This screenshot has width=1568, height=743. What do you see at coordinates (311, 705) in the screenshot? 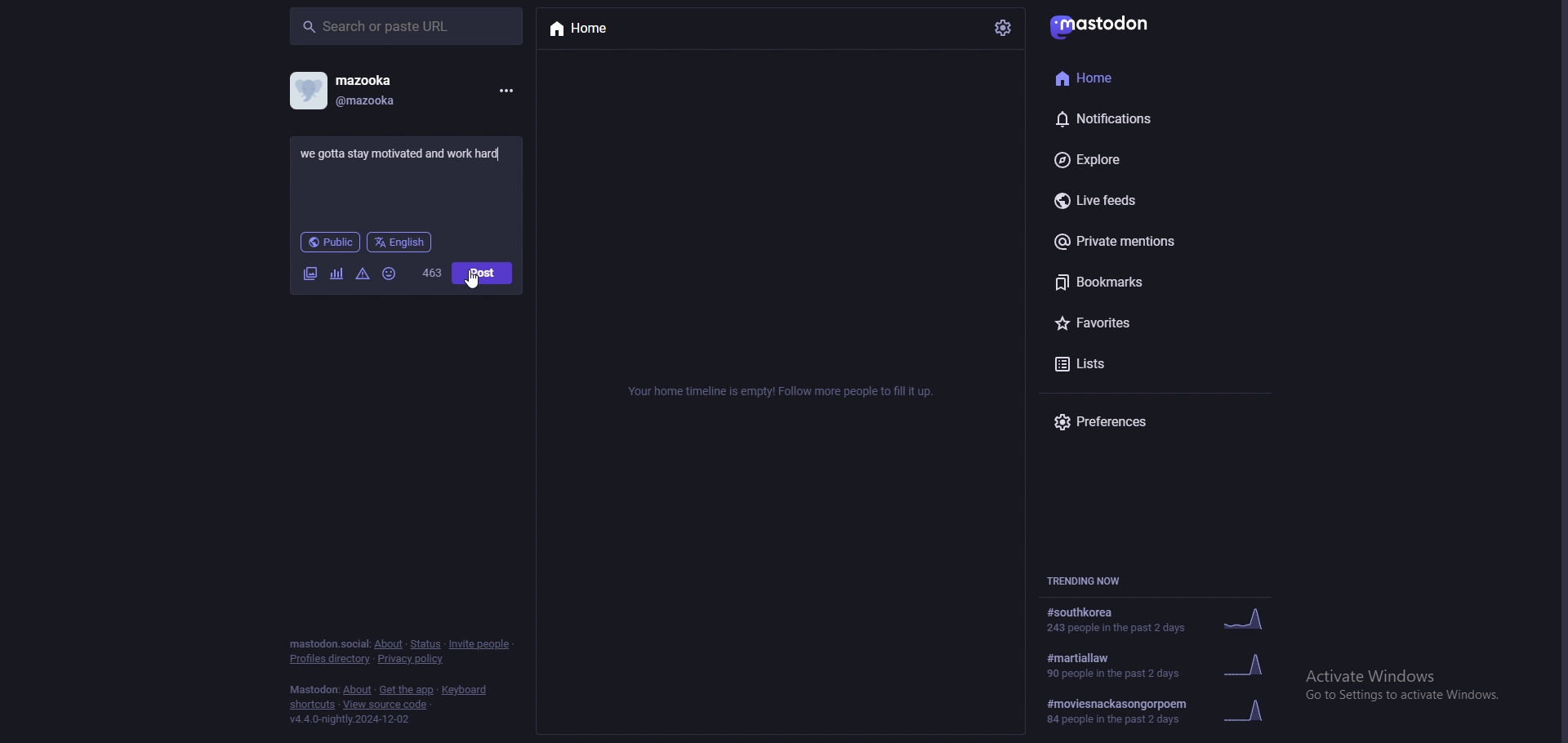
I see `shortcuts` at bounding box center [311, 705].